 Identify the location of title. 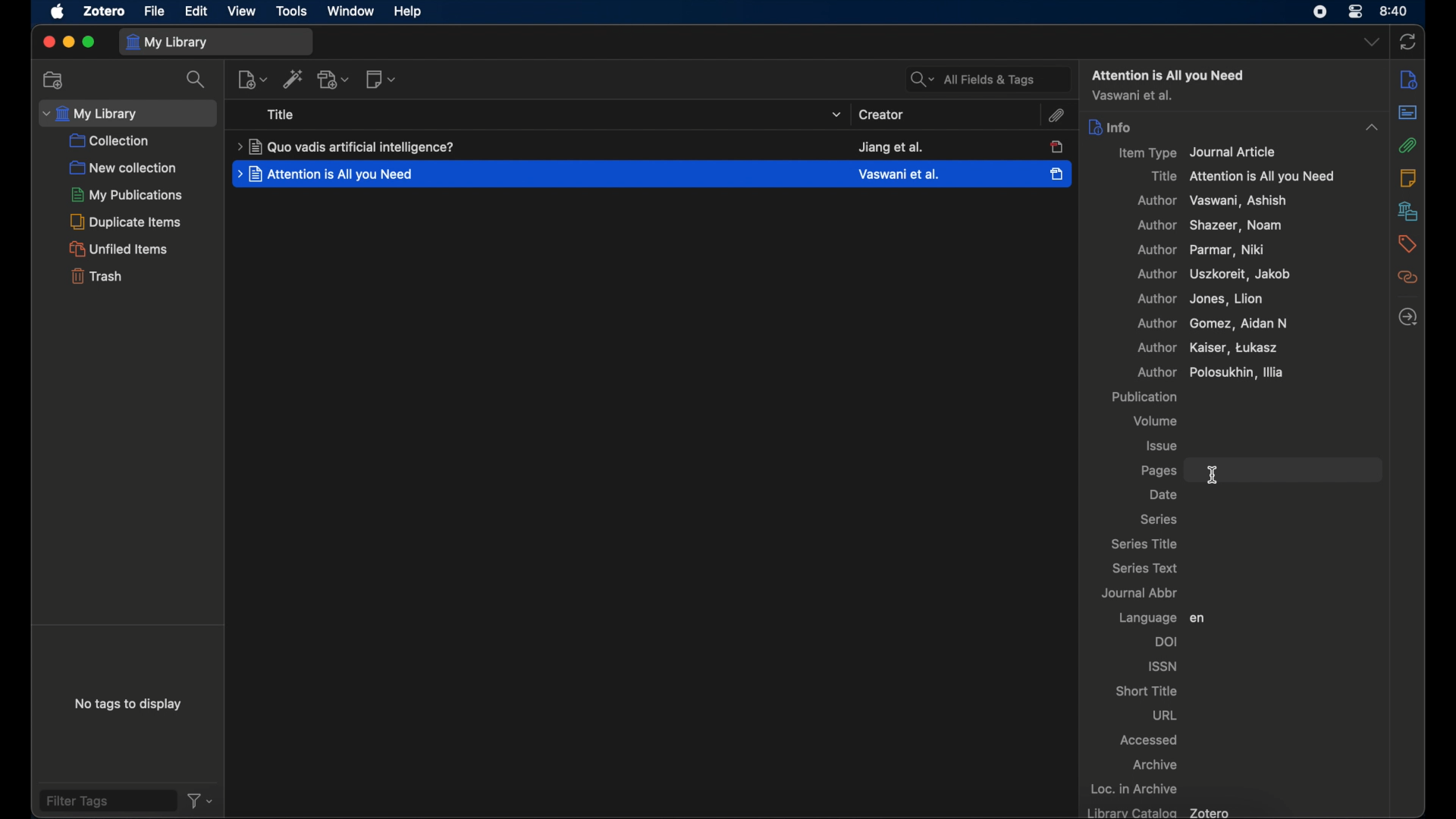
(325, 174).